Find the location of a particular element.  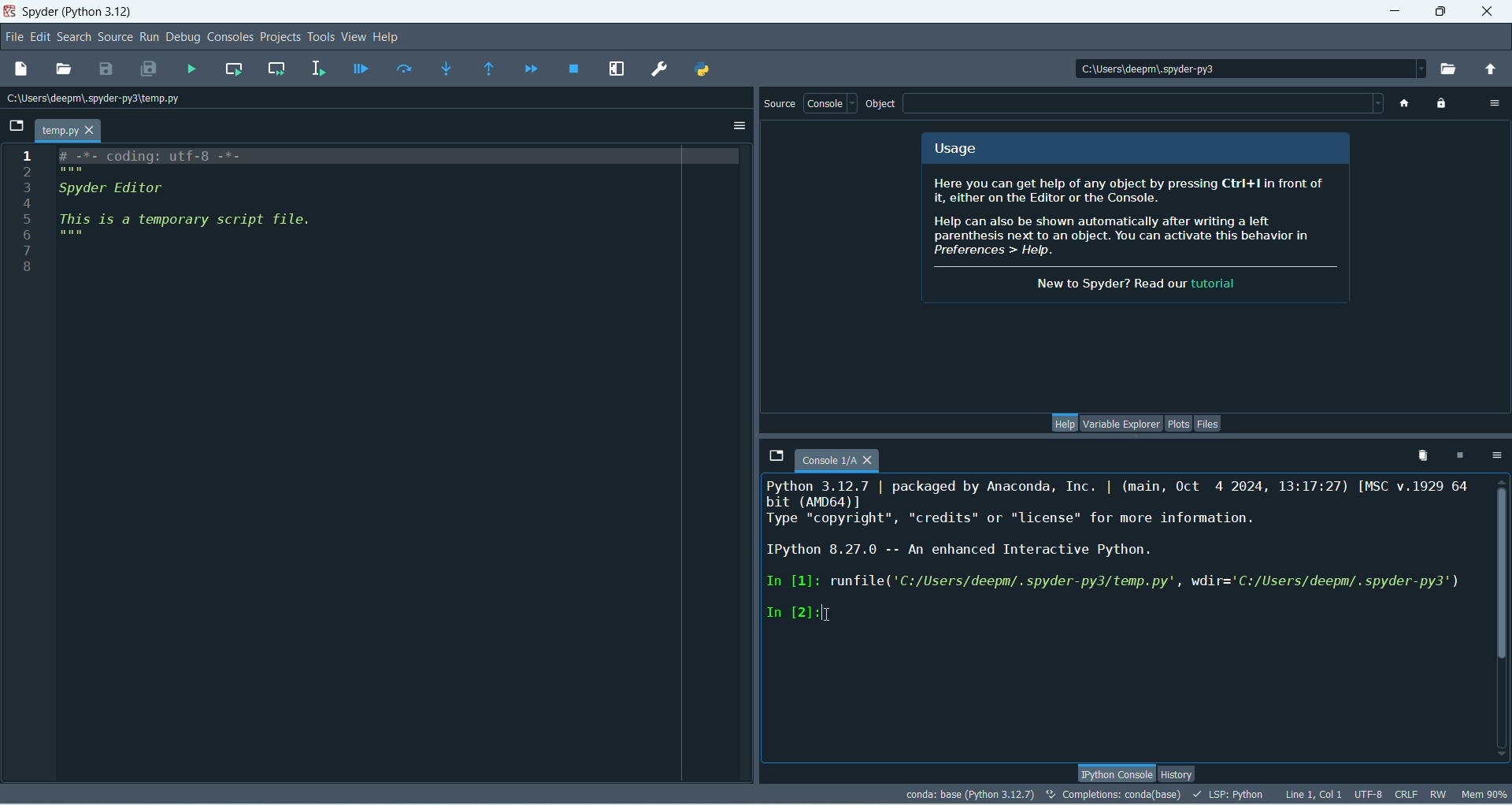

options is located at coordinates (739, 126).